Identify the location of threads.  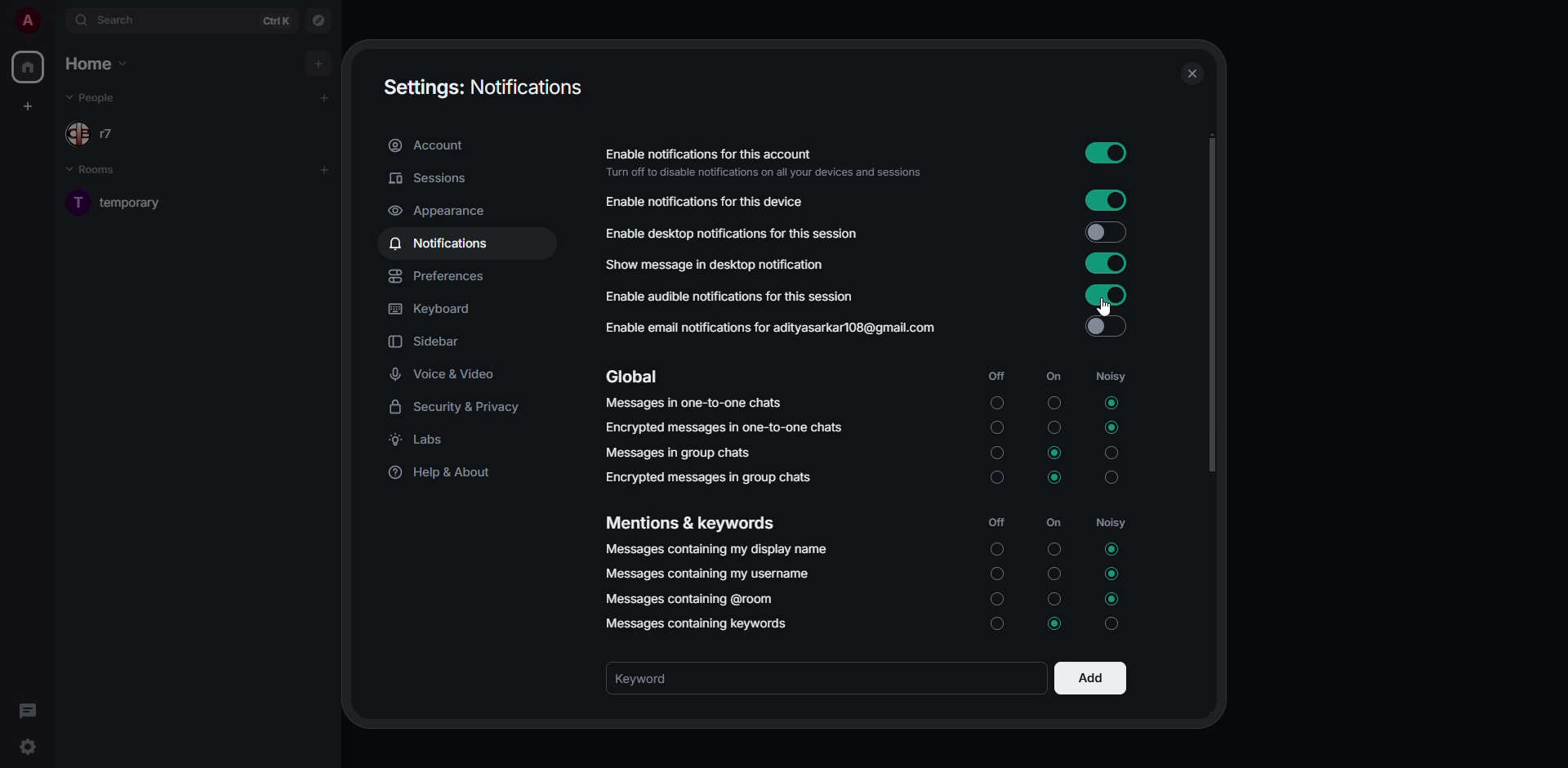
(26, 708).